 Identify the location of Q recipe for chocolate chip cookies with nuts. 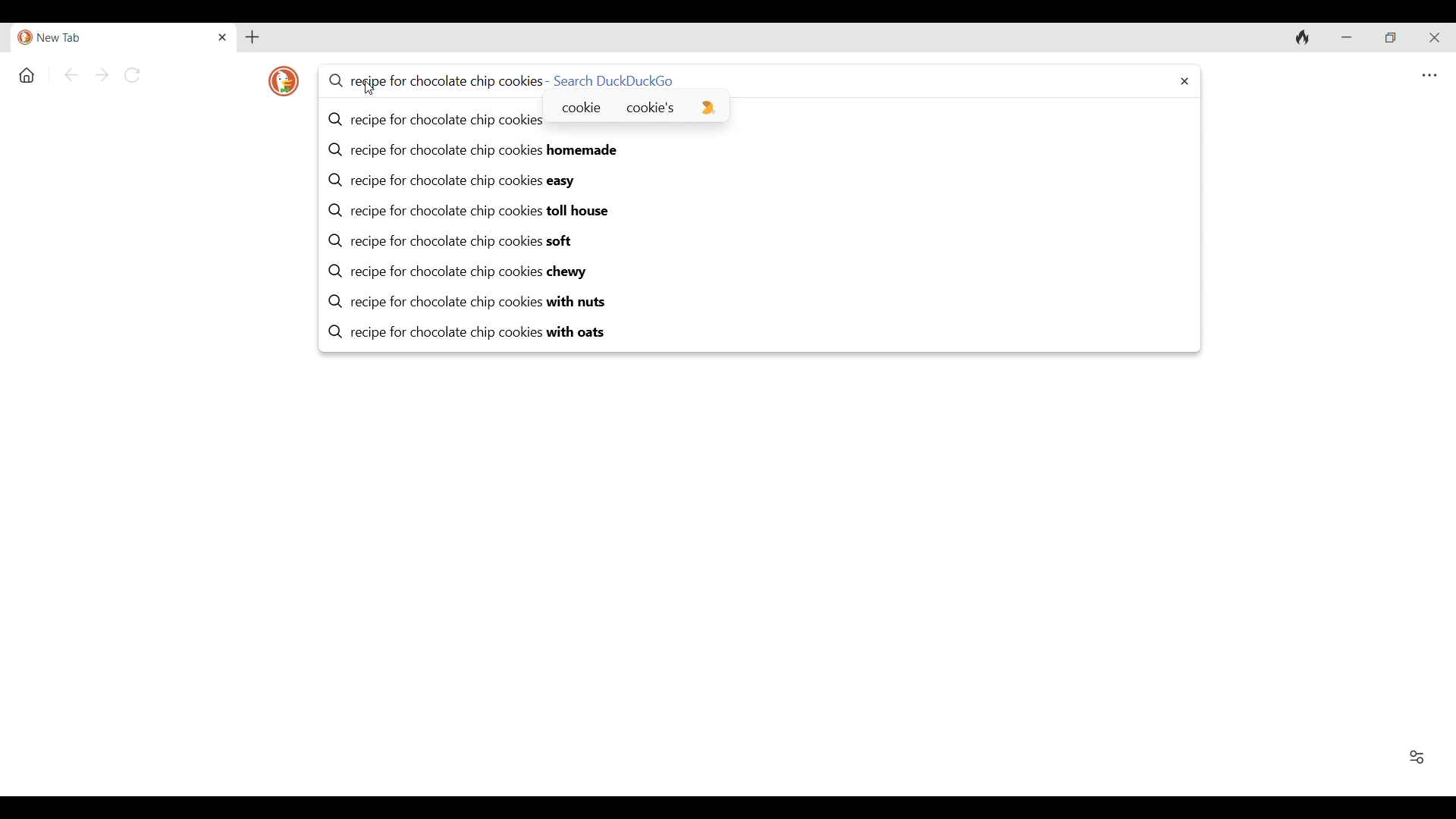
(761, 303).